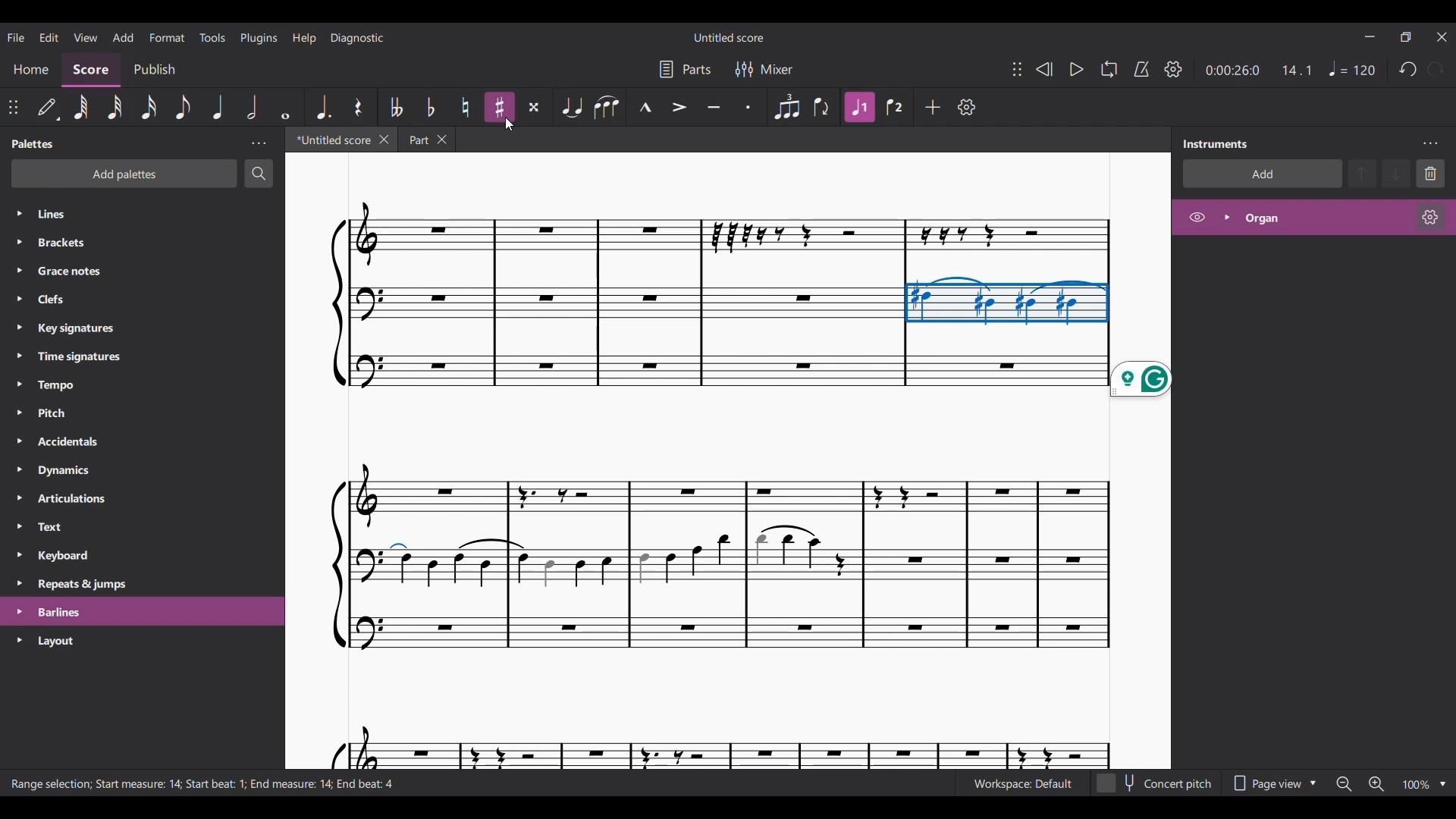 This screenshot has width=1456, height=819. What do you see at coordinates (124, 174) in the screenshot?
I see `Add palette` at bounding box center [124, 174].